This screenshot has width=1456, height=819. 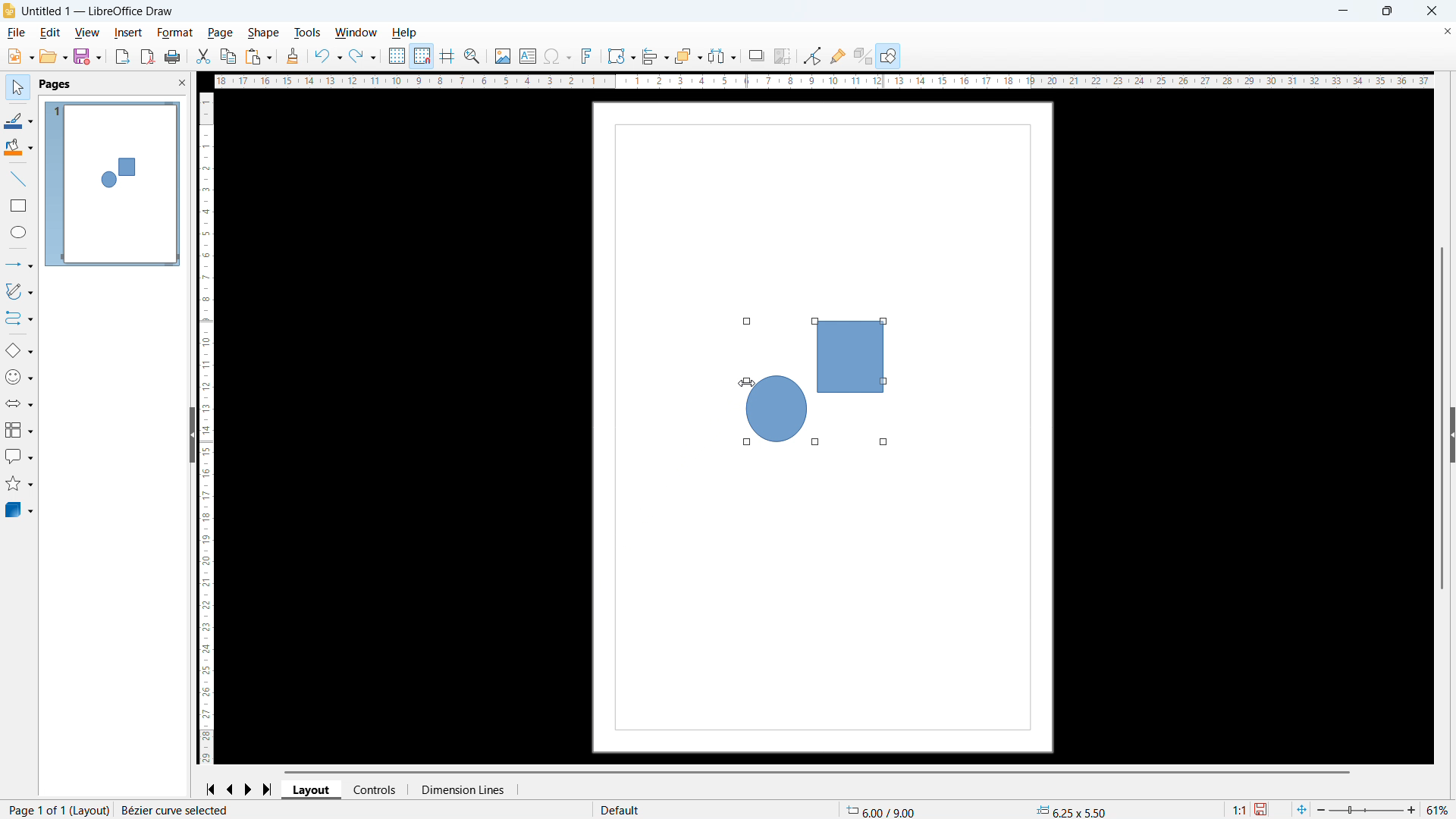 I want to click on Connectors , so click(x=20, y=318).